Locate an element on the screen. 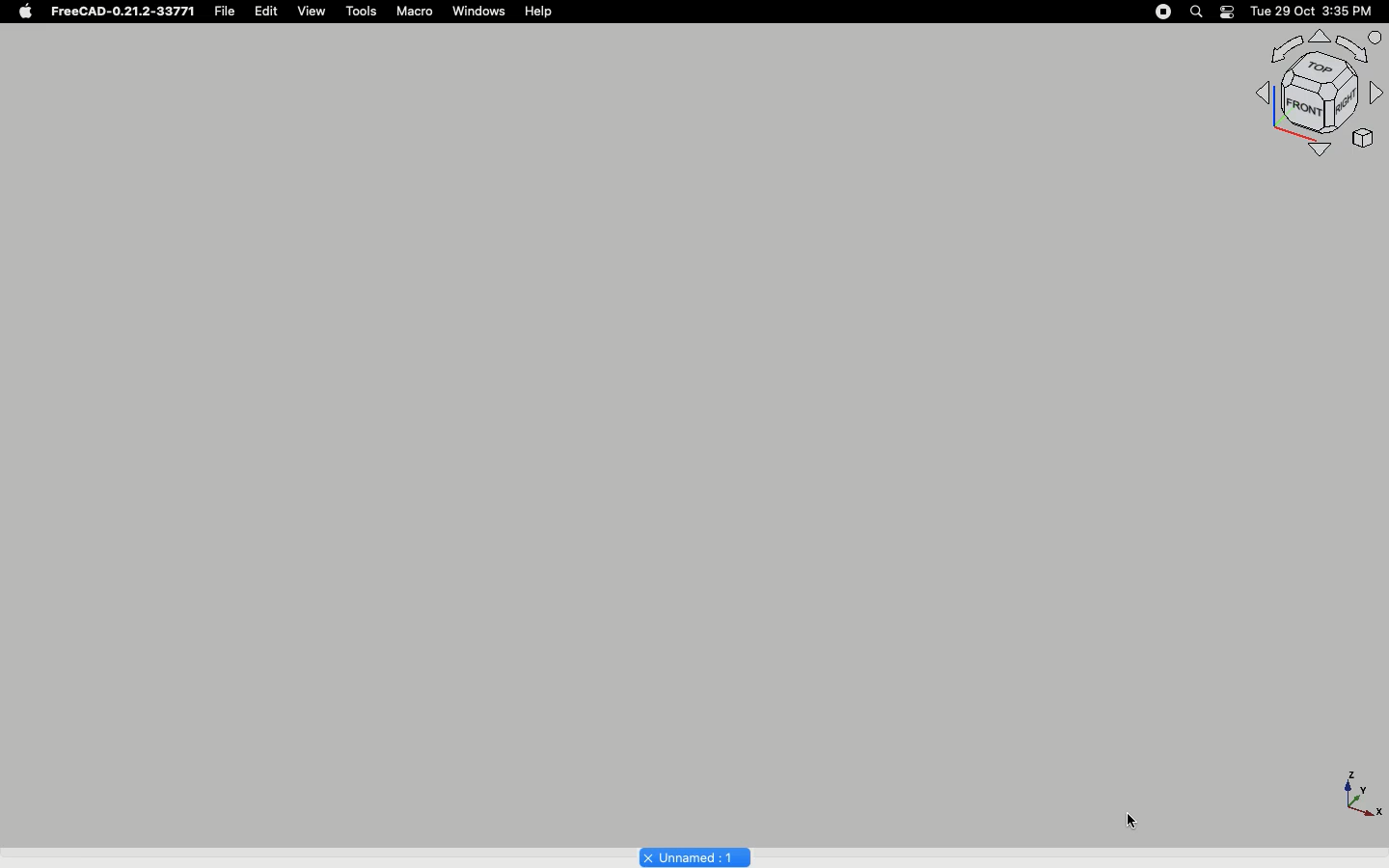  axiis - X,Y,Z is located at coordinates (1359, 791).